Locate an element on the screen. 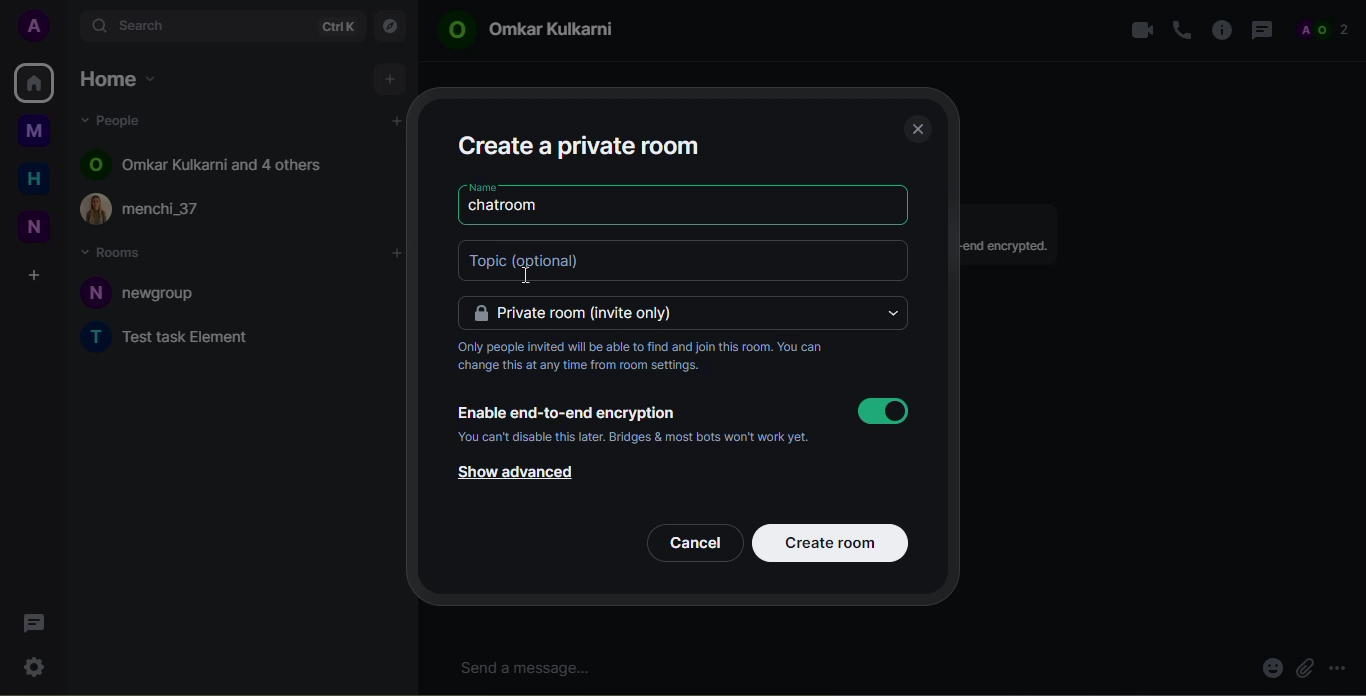  topic is located at coordinates (555, 260).